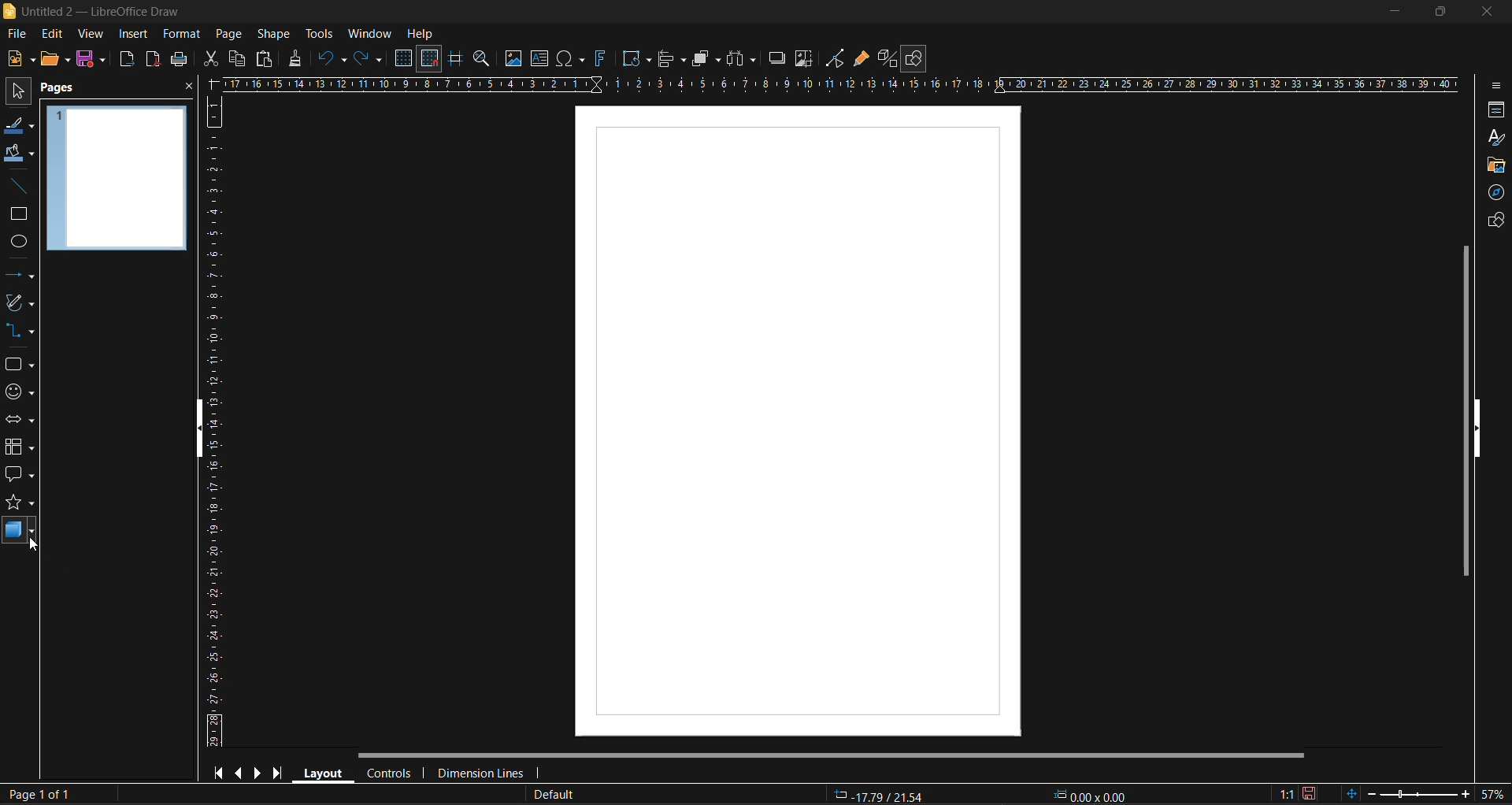 The image size is (1512, 805). What do you see at coordinates (1310, 792) in the screenshot?
I see `click to save` at bounding box center [1310, 792].